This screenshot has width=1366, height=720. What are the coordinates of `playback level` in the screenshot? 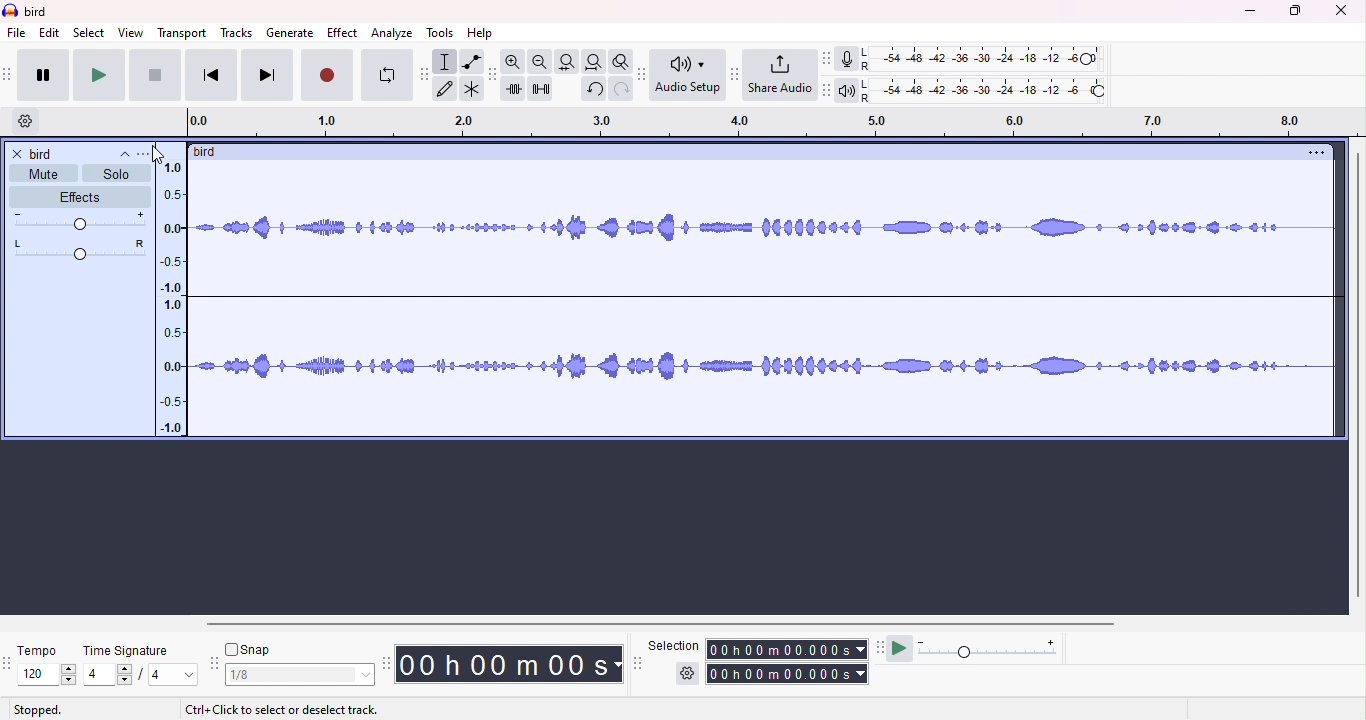 It's located at (985, 89).